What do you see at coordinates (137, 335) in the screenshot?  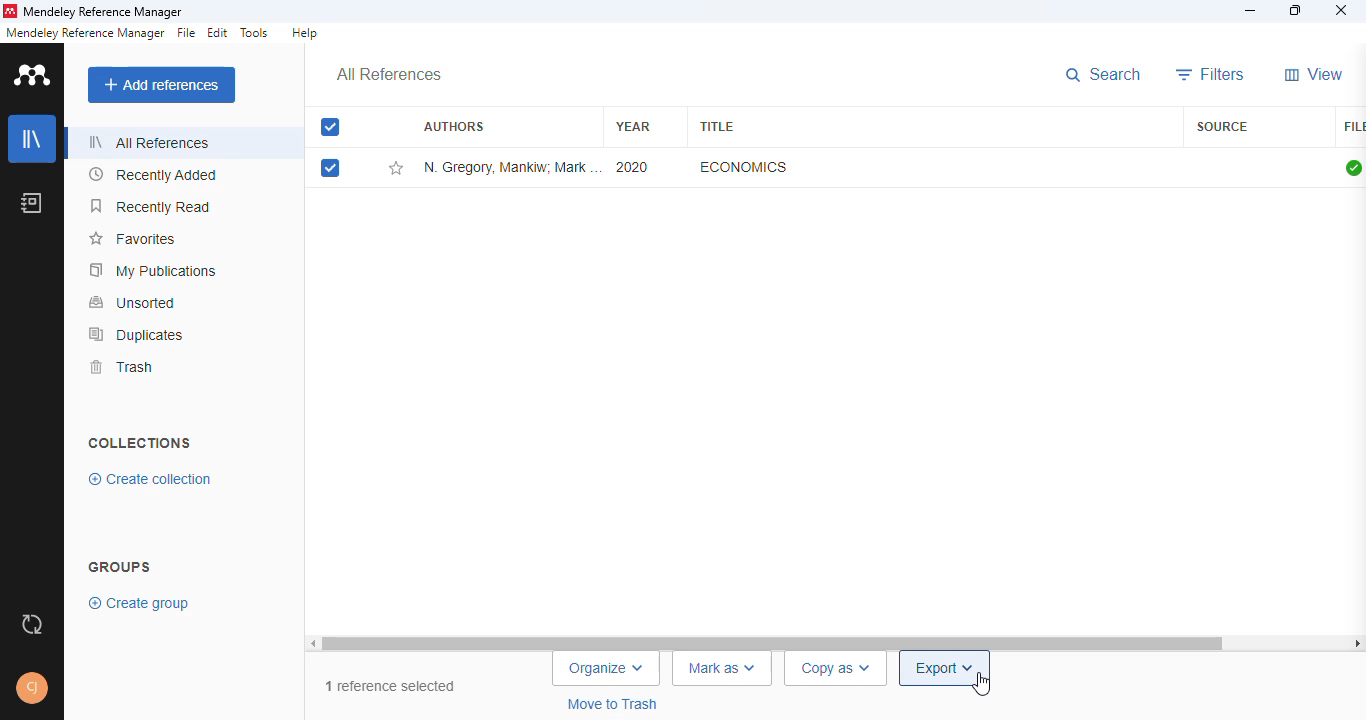 I see `duplicates` at bounding box center [137, 335].